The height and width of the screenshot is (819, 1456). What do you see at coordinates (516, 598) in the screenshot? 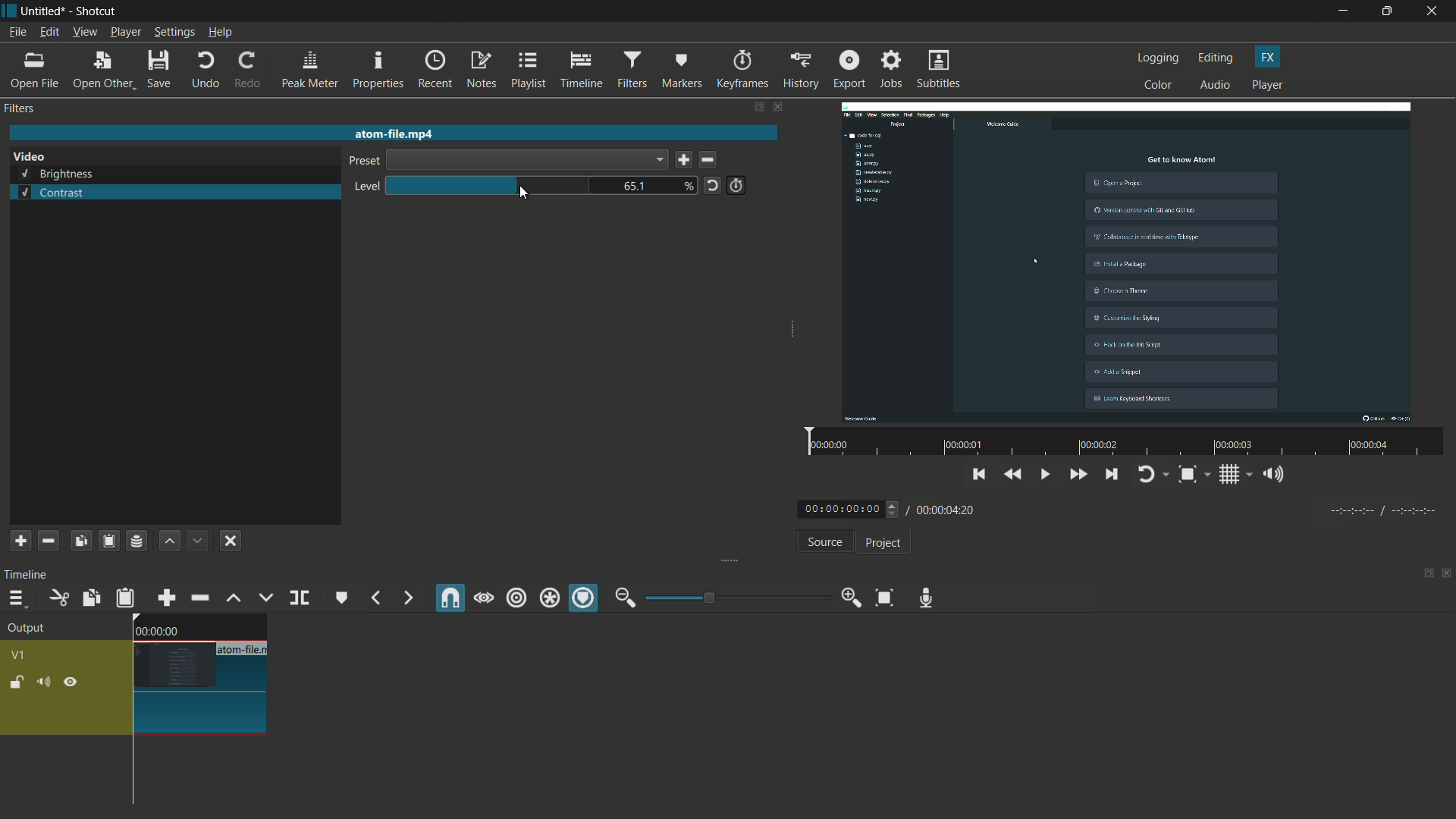
I see `ripple` at bounding box center [516, 598].